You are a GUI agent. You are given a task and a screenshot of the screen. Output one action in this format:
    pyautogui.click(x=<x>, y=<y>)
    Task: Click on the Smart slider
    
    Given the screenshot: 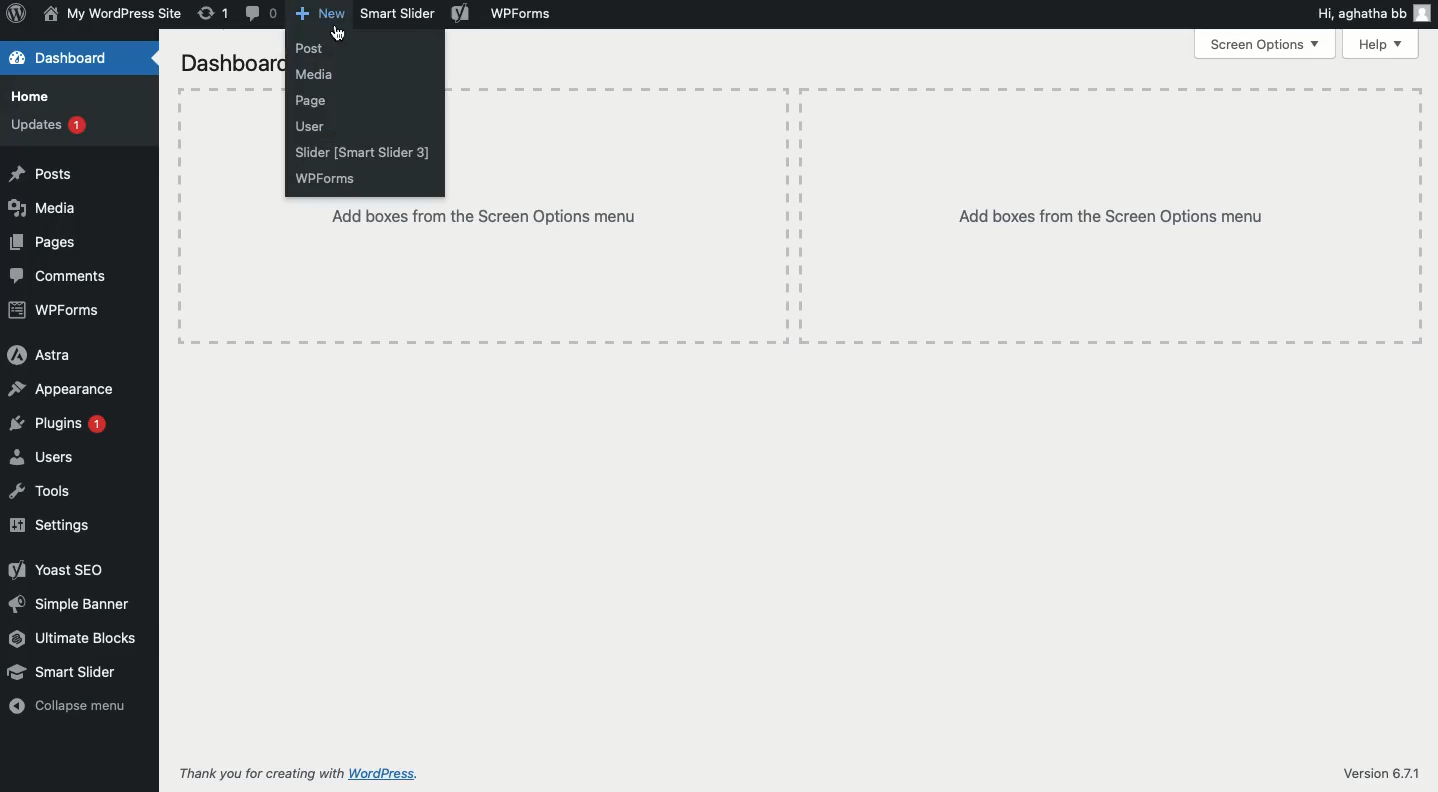 What is the action you would take?
    pyautogui.click(x=395, y=13)
    